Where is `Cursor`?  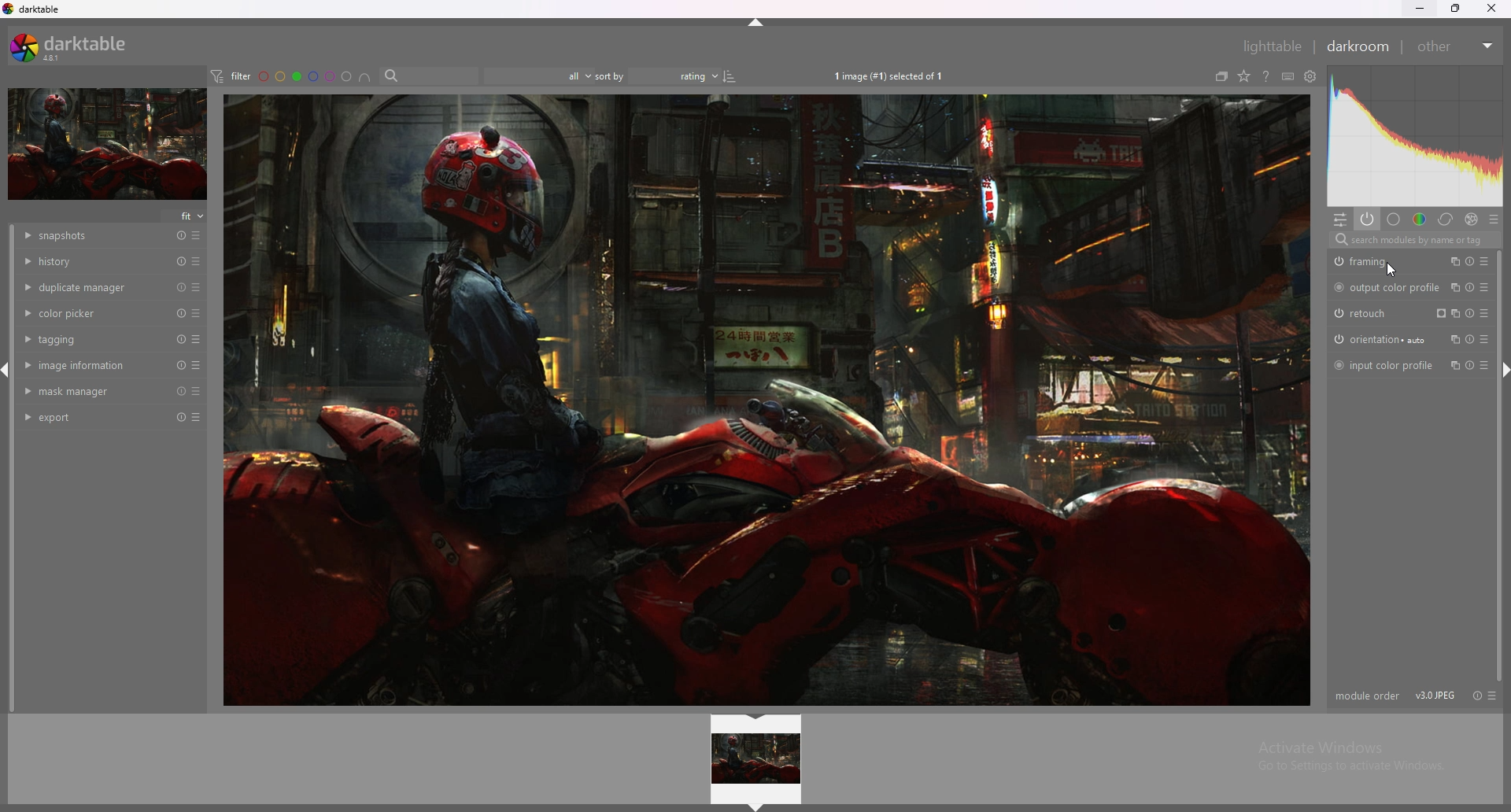 Cursor is located at coordinates (1391, 271).